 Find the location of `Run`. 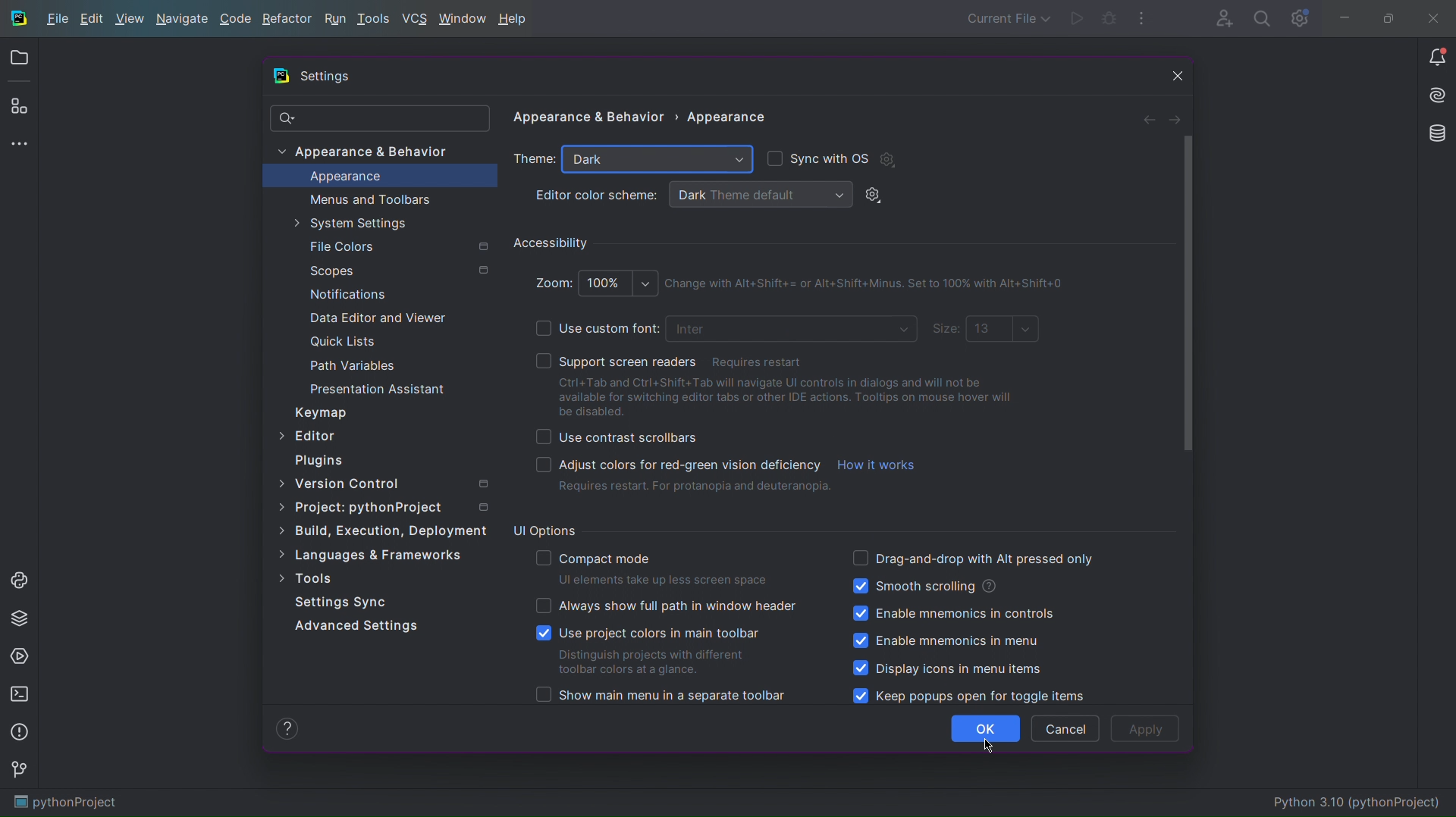

Run is located at coordinates (334, 19).